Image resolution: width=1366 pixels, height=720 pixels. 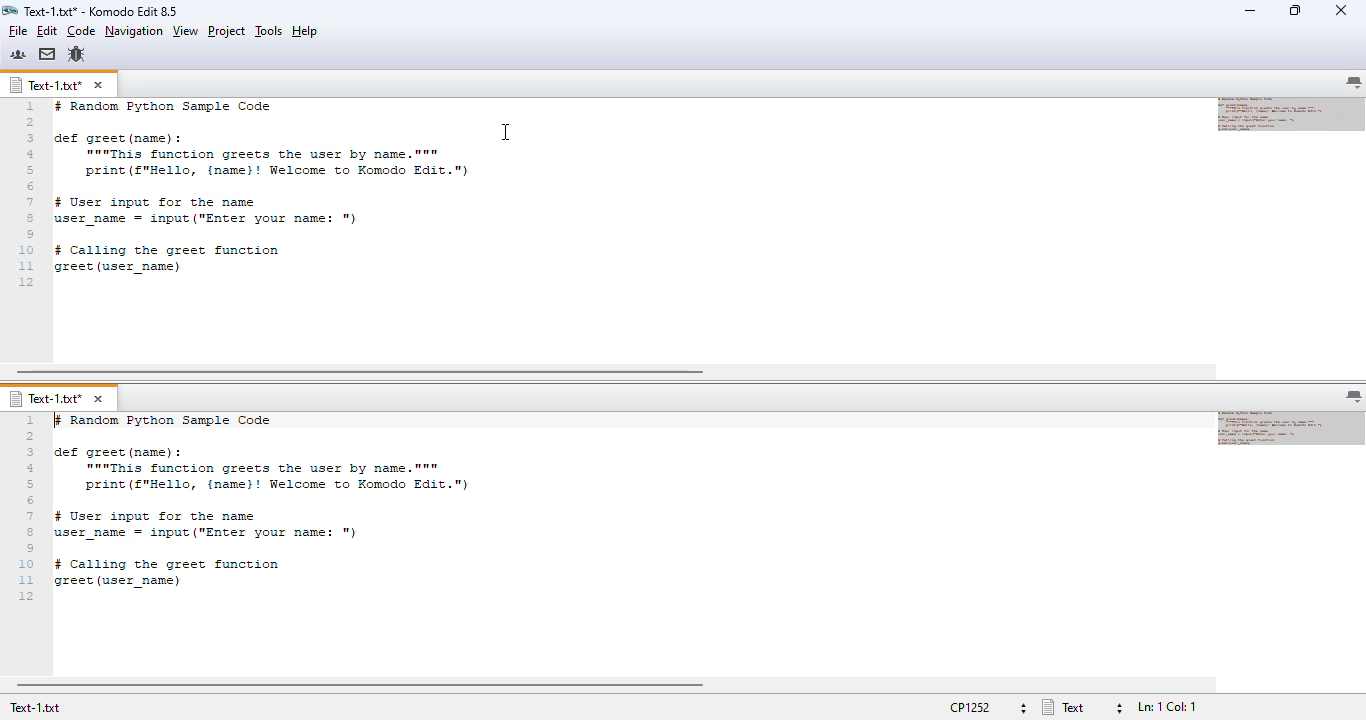 What do you see at coordinates (362, 686) in the screenshot?
I see `horizontal scroll bar` at bounding box center [362, 686].